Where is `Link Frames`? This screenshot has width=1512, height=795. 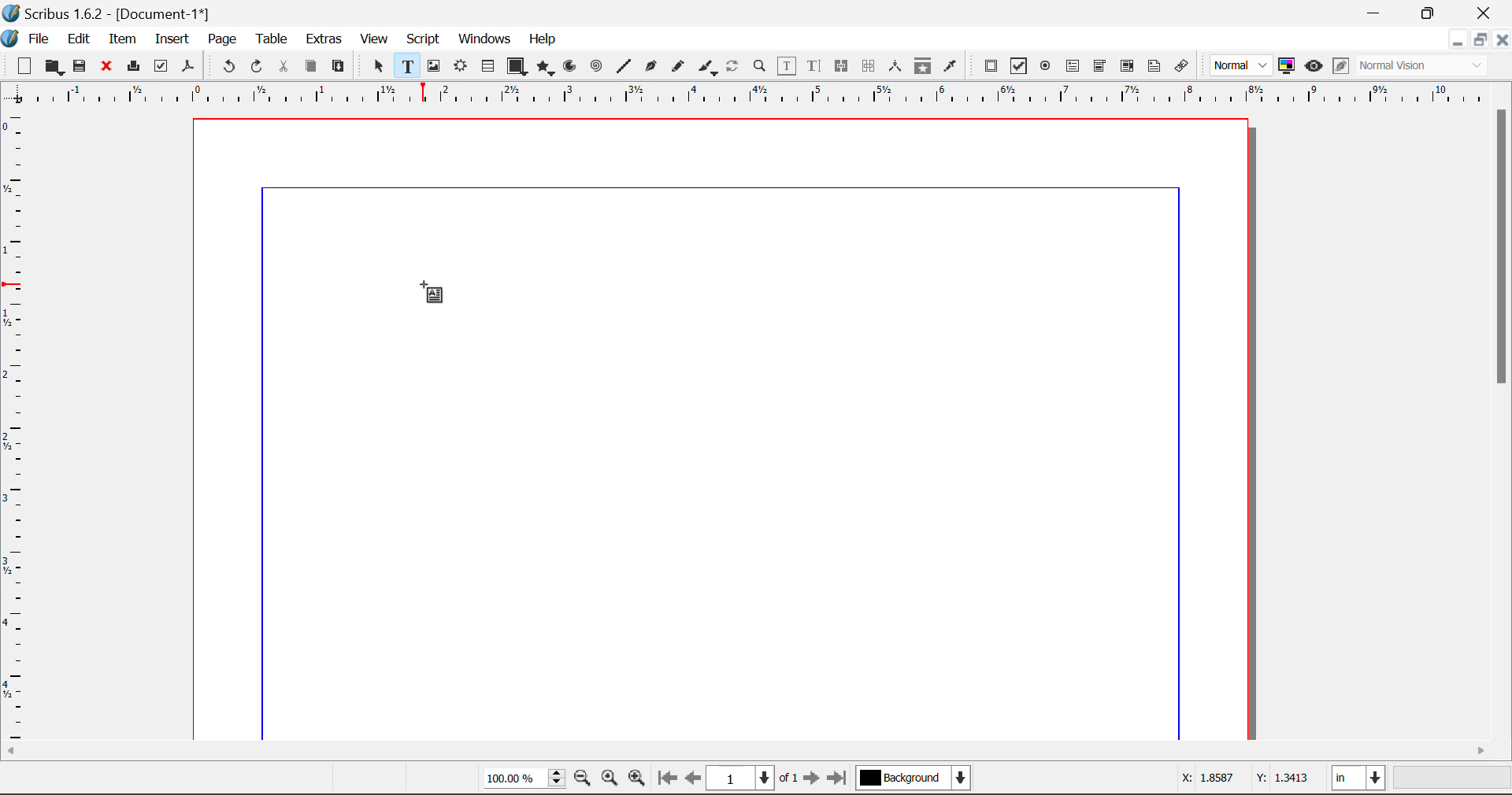
Link Frames is located at coordinates (842, 66).